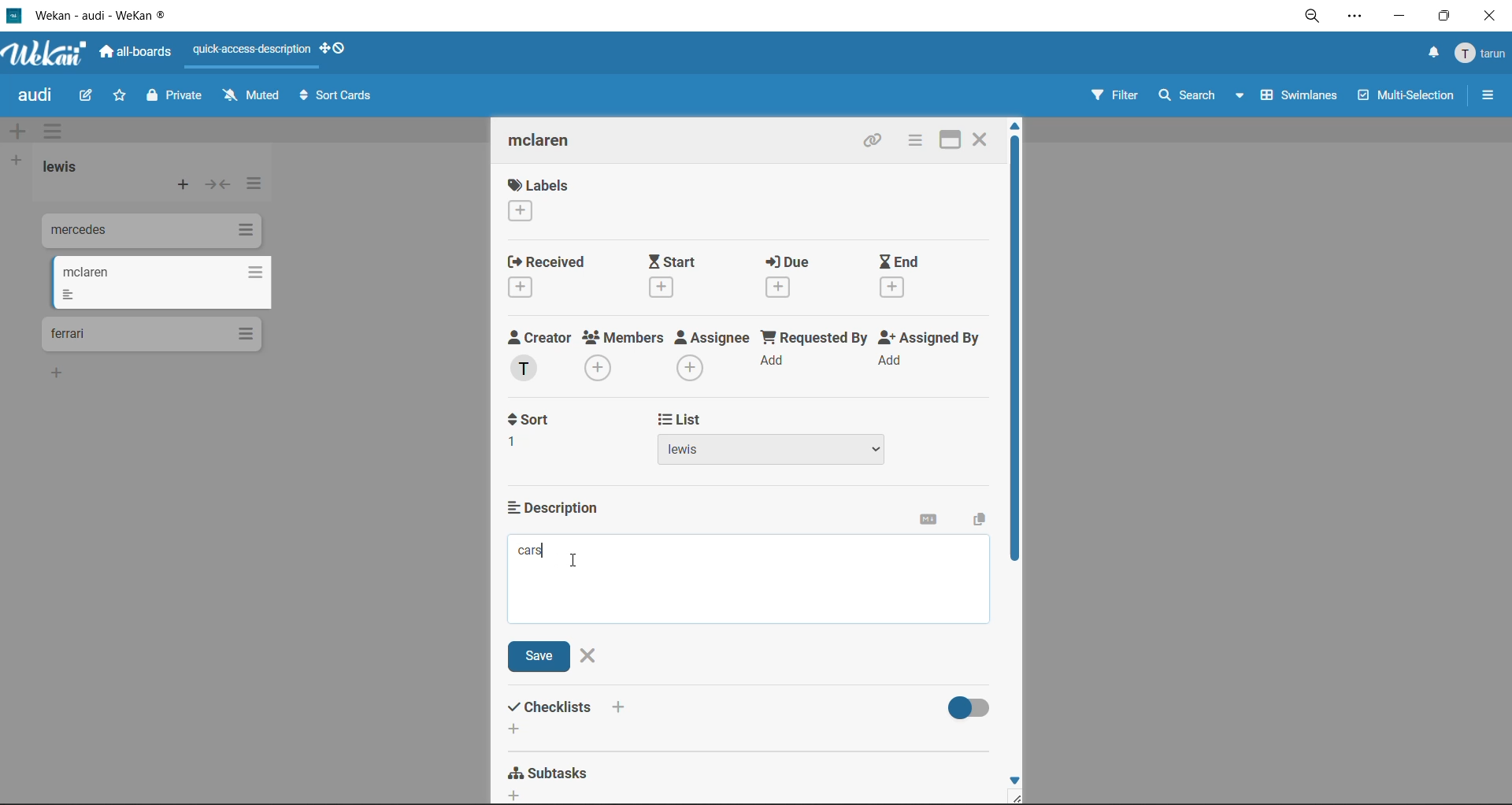  I want to click on maximize, so click(1448, 15).